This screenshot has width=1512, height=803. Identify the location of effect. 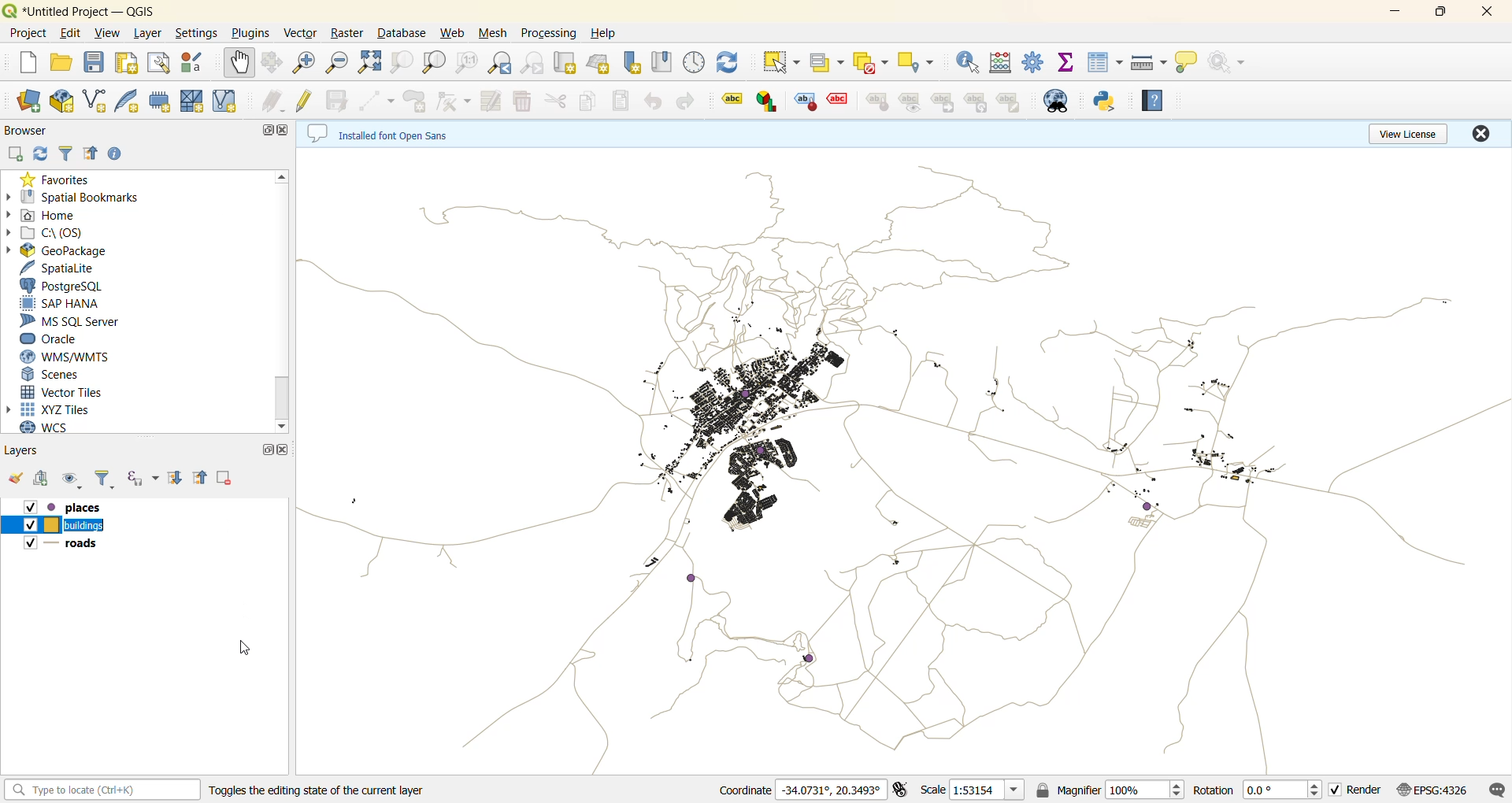
(838, 103).